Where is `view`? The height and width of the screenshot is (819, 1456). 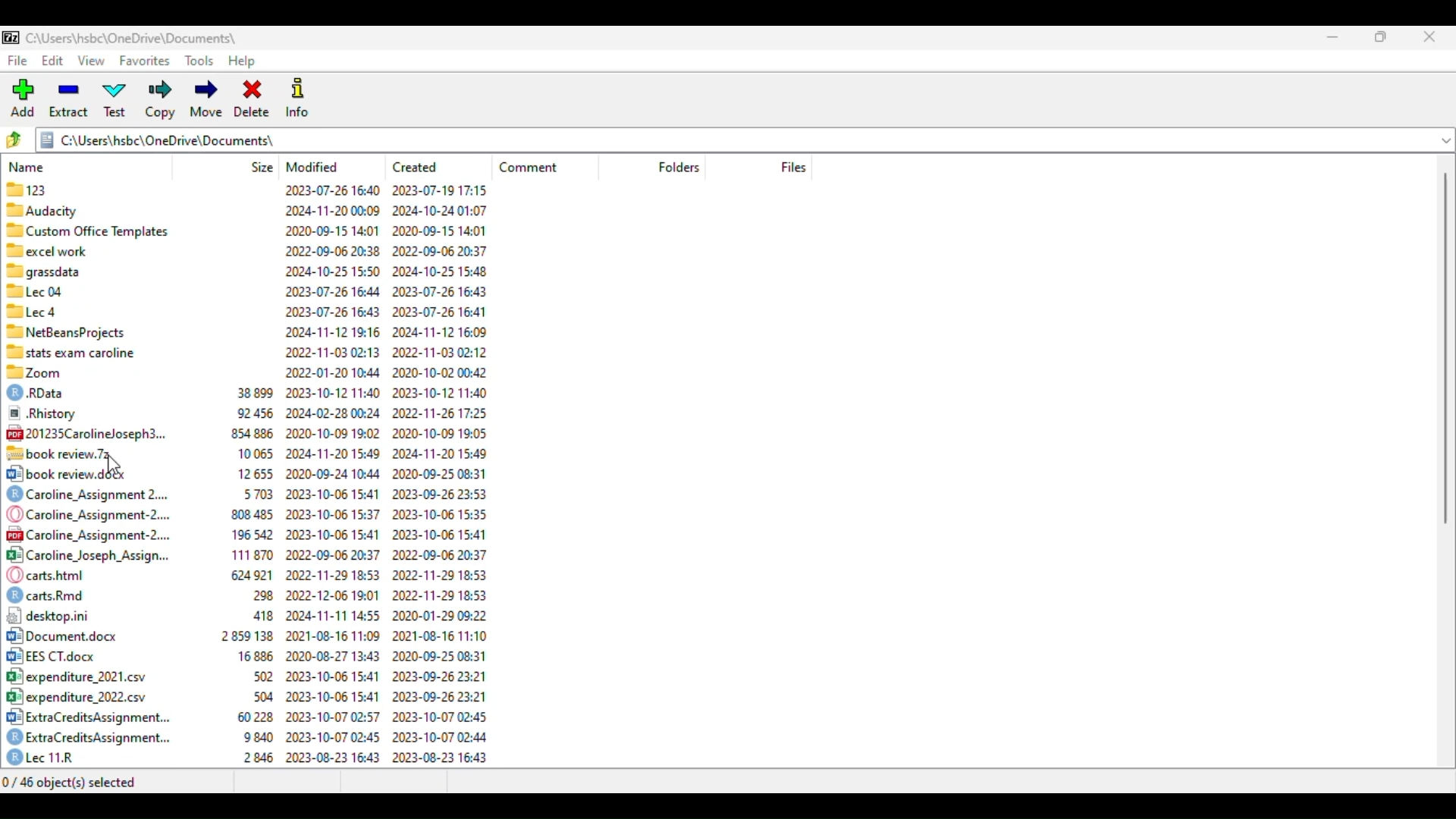 view is located at coordinates (93, 61).